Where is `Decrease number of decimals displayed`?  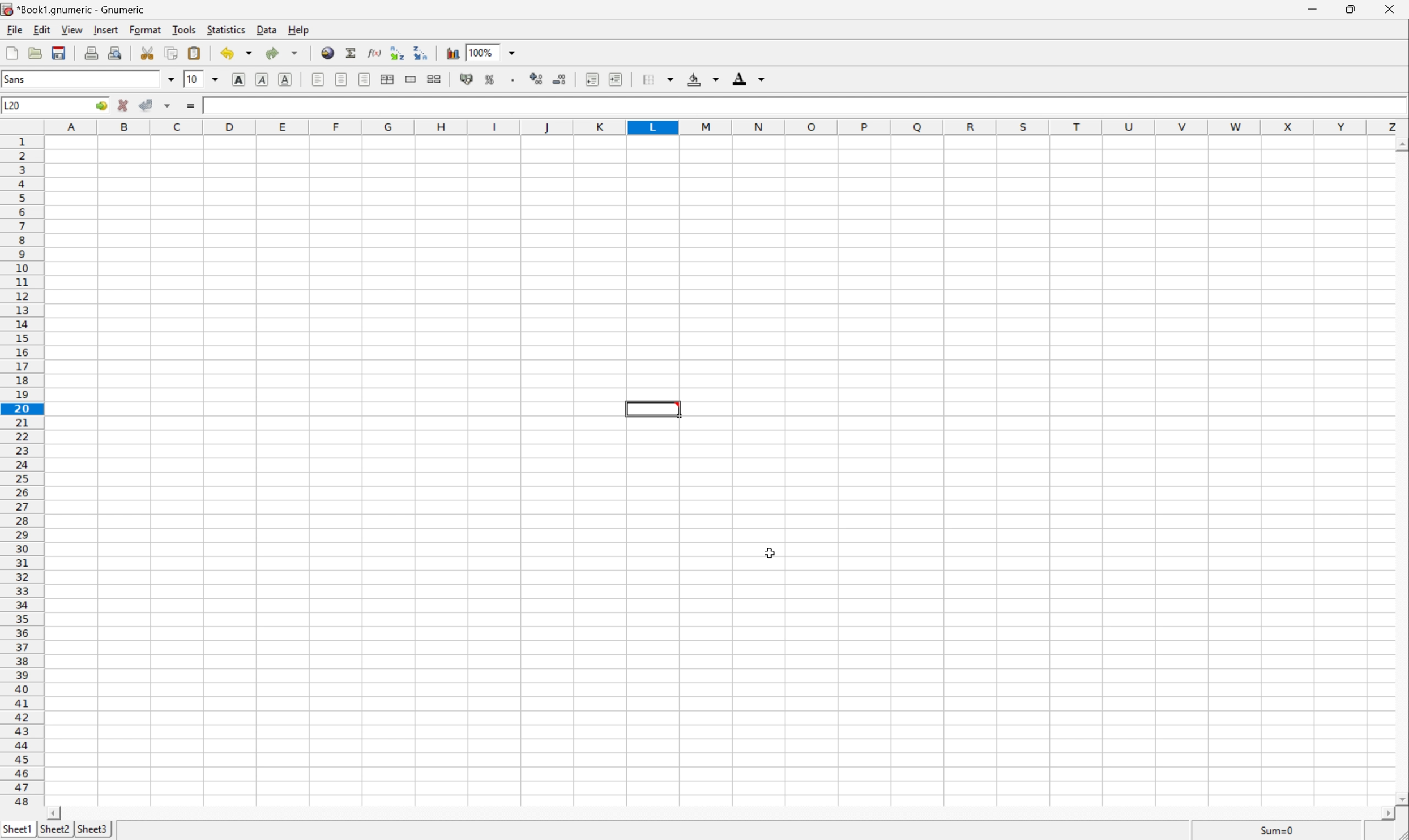
Decrease number of decimals displayed is located at coordinates (560, 79).